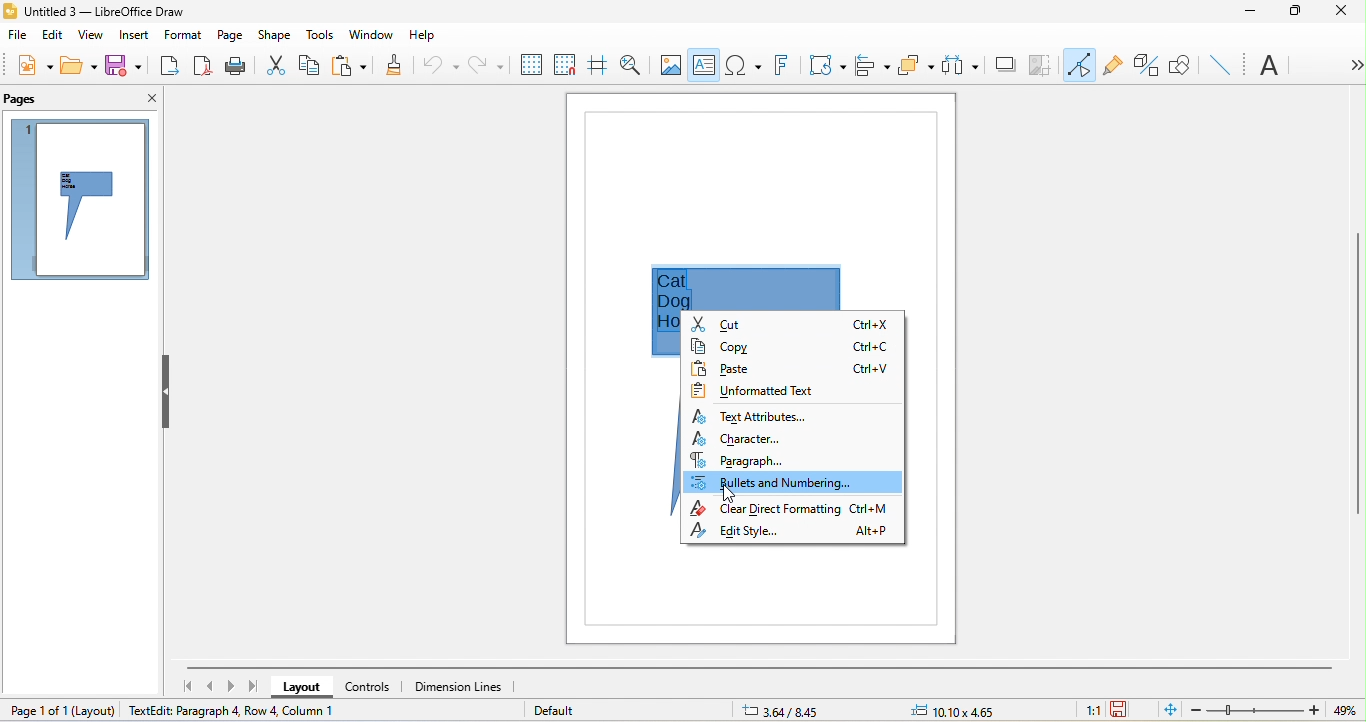 The image size is (1366, 722). Describe the element at coordinates (323, 35) in the screenshot. I see `tools` at that location.